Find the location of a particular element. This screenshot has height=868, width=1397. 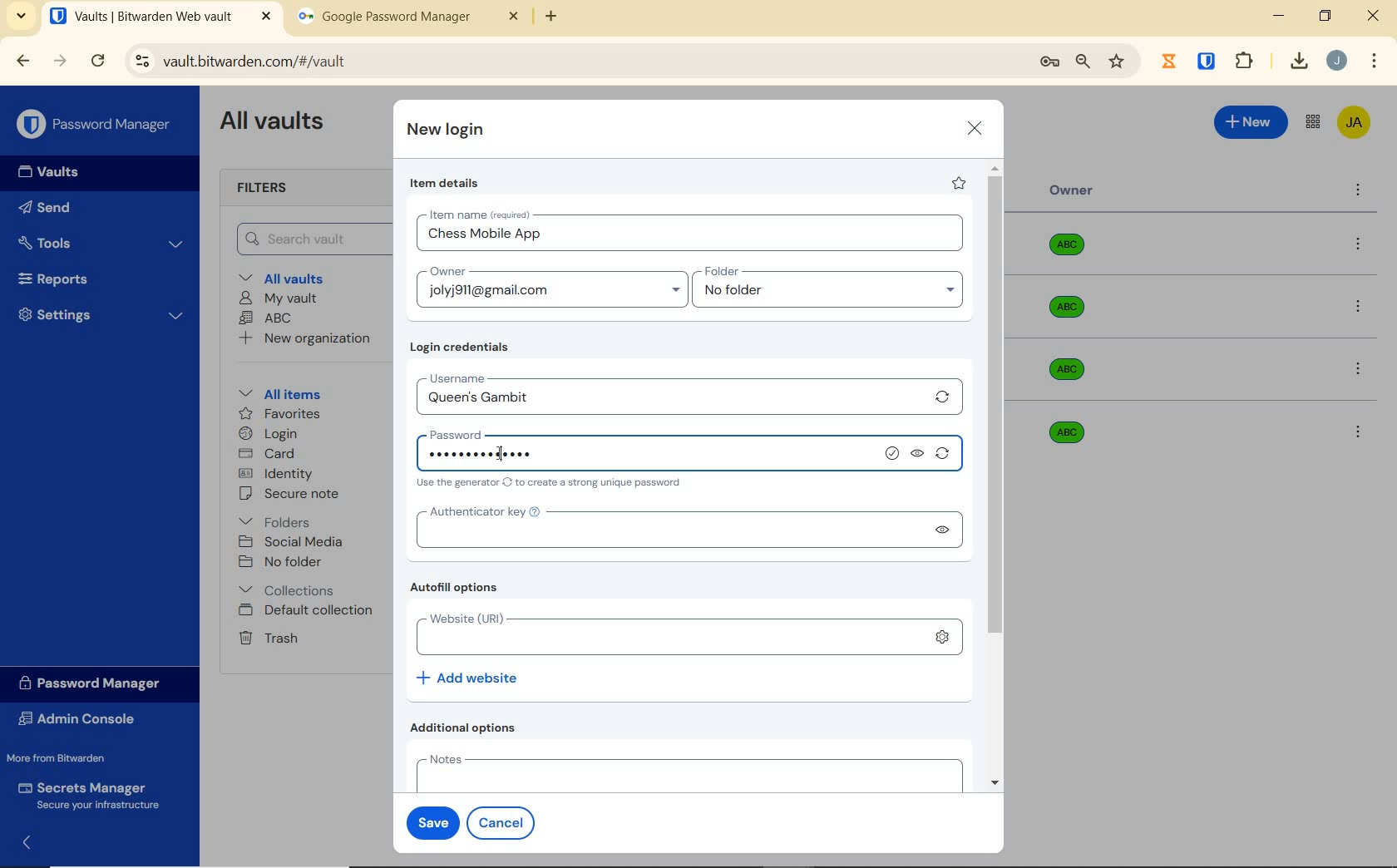

identity is located at coordinates (276, 474).